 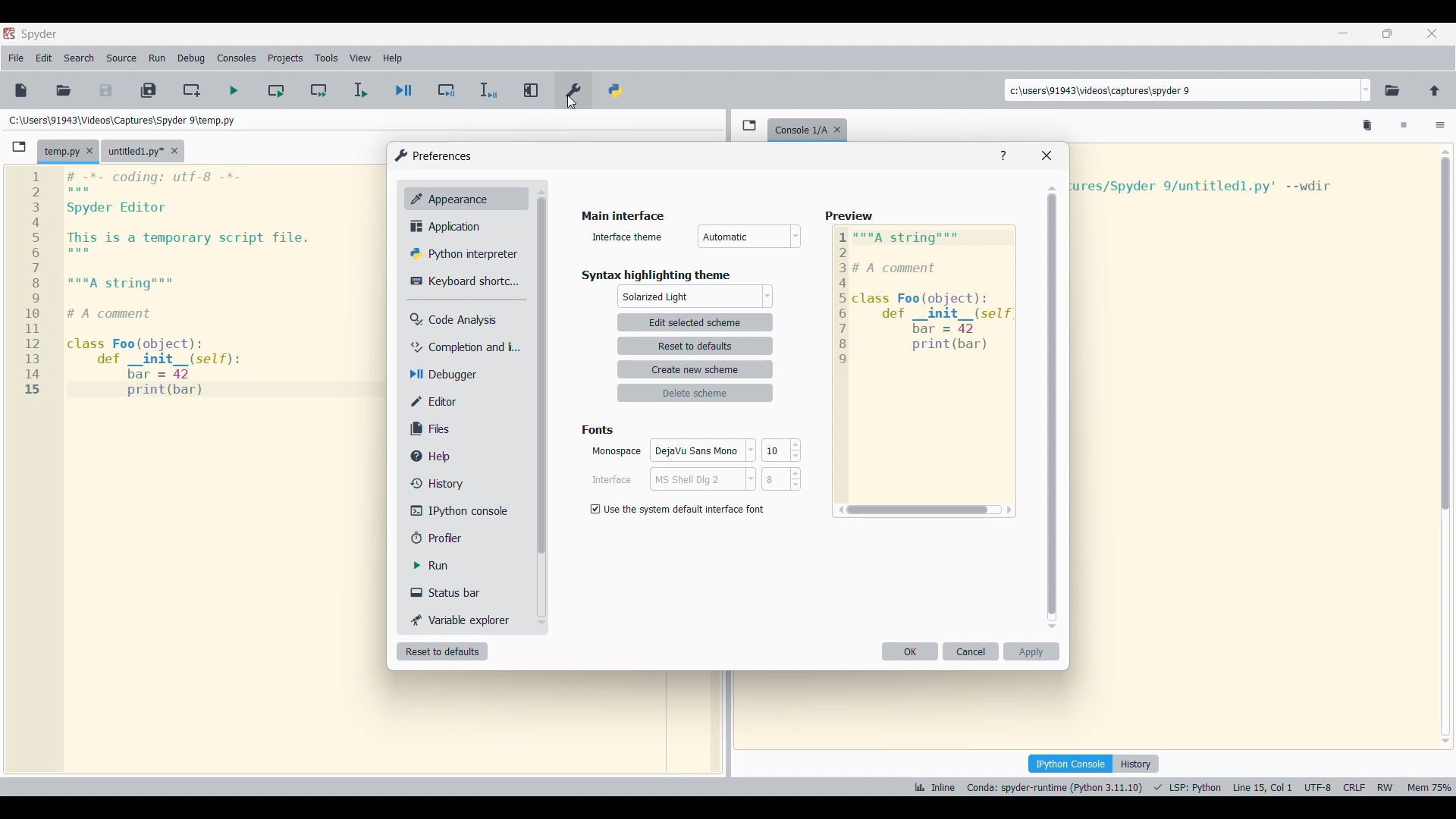 I want to click on PYTHONPATH manager, so click(x=616, y=89).